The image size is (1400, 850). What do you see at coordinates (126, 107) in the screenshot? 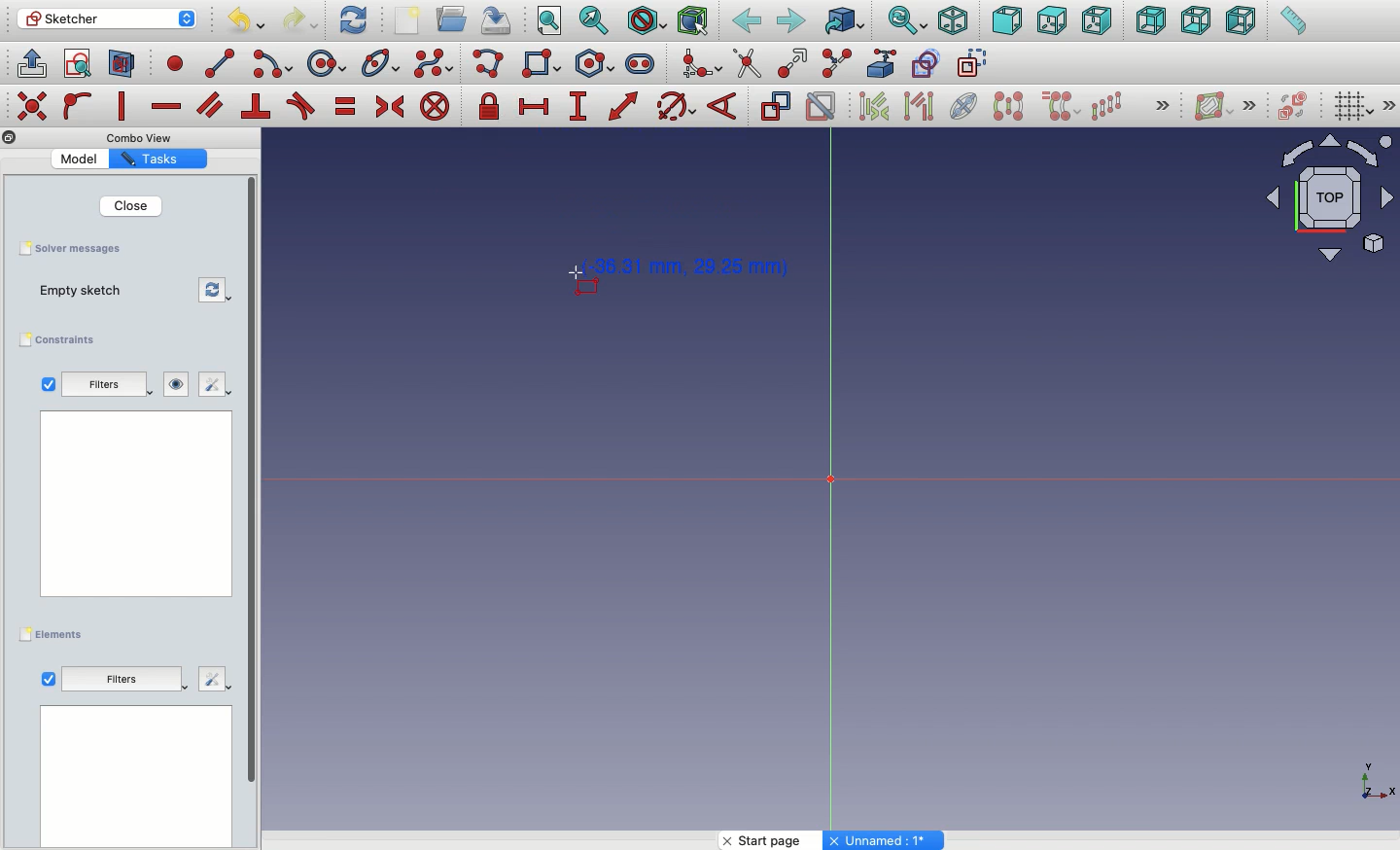
I see `constrain vertically ` at bounding box center [126, 107].